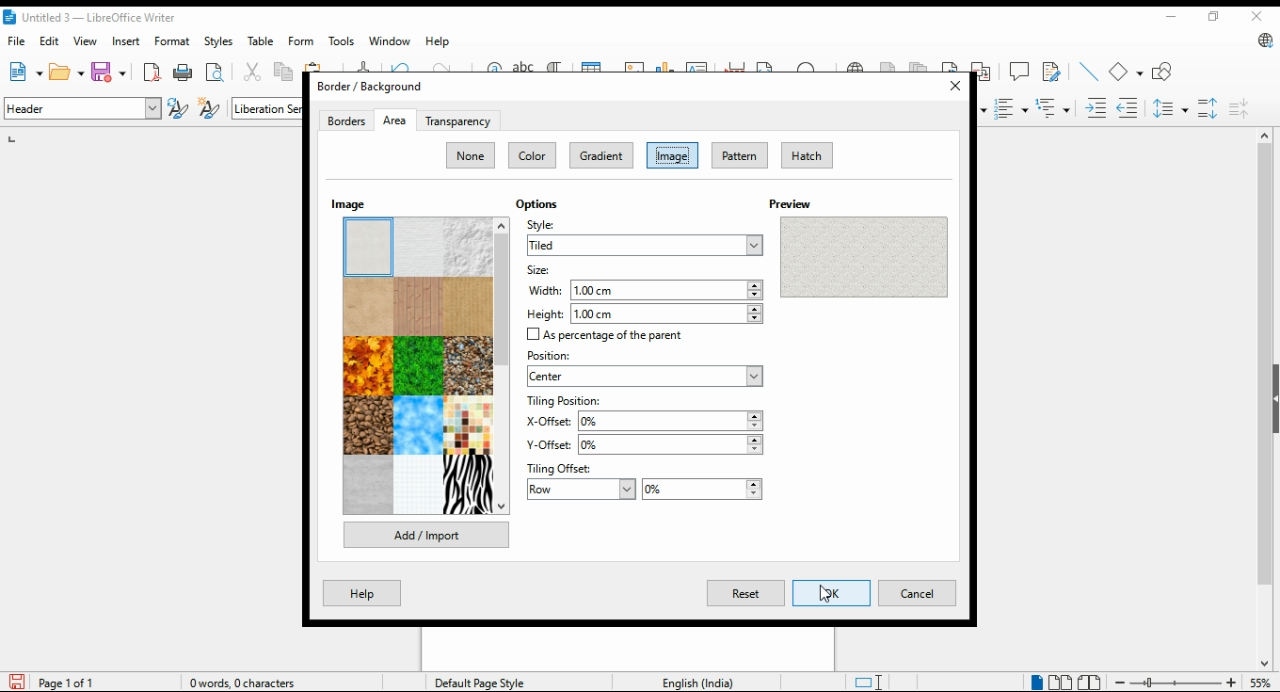  What do you see at coordinates (1011, 109) in the screenshot?
I see `toggle ordered list` at bounding box center [1011, 109].